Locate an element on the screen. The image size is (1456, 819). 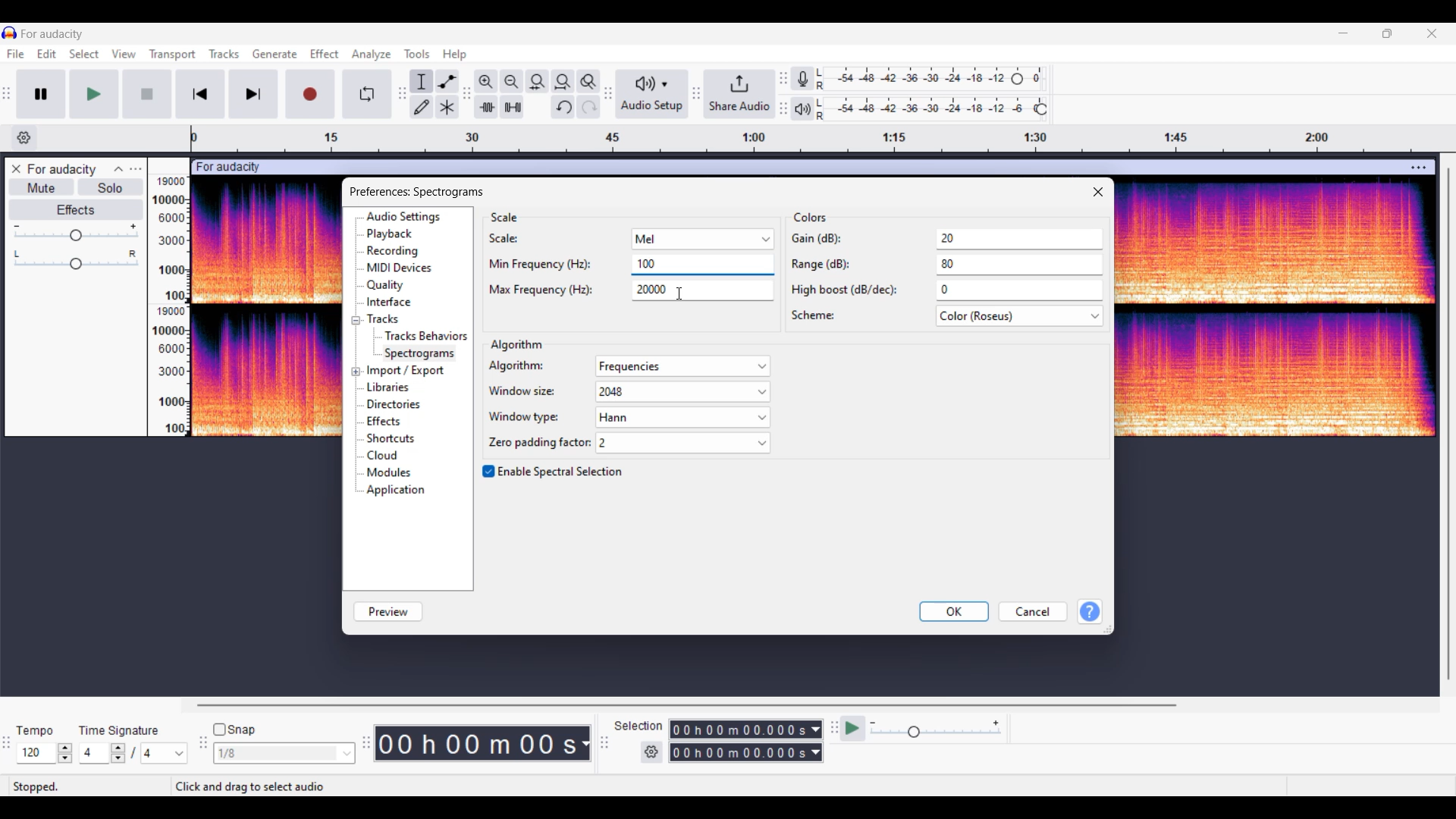
Help menu is located at coordinates (455, 55).